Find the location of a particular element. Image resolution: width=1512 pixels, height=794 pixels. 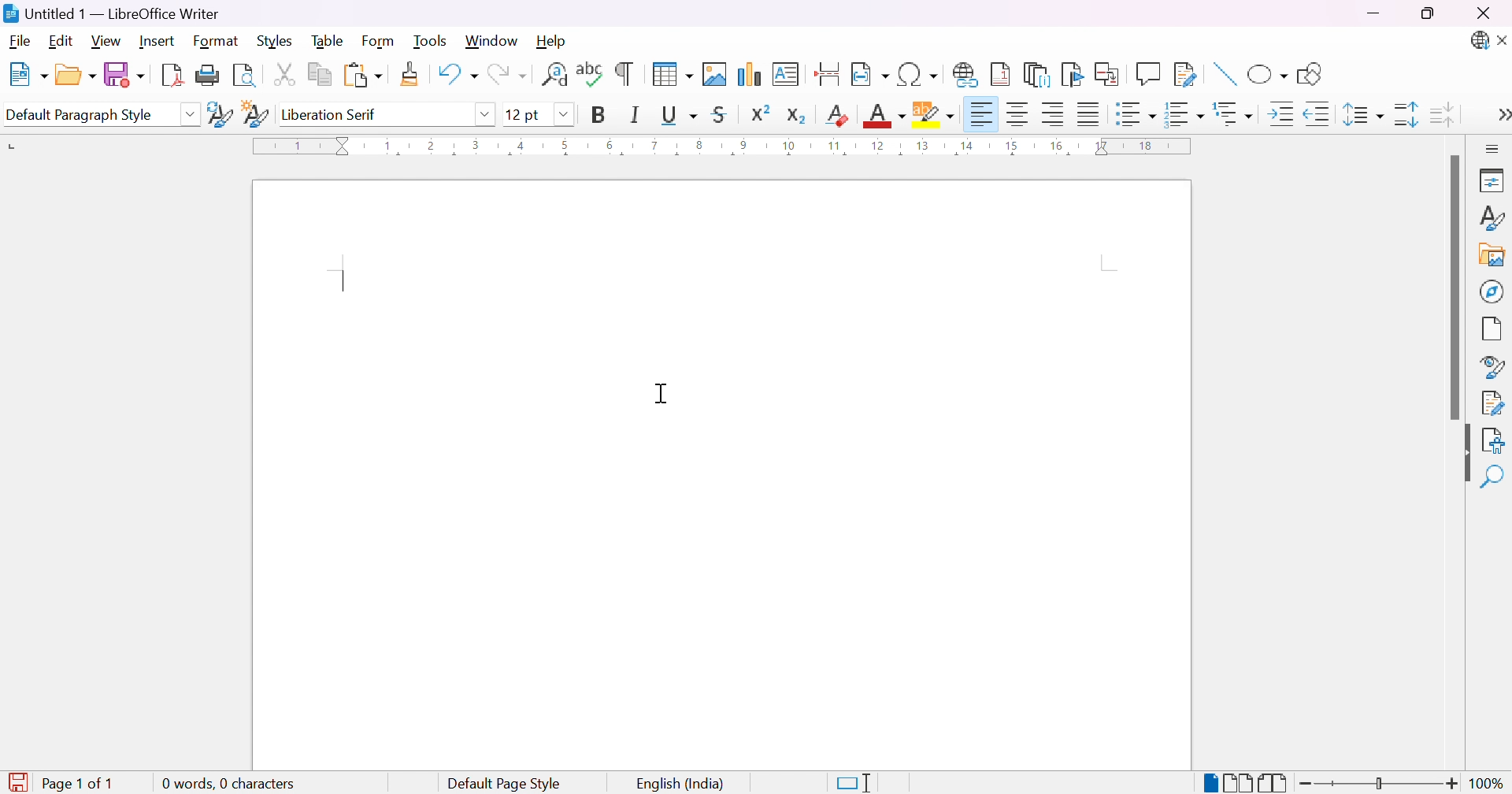

Form is located at coordinates (382, 42).